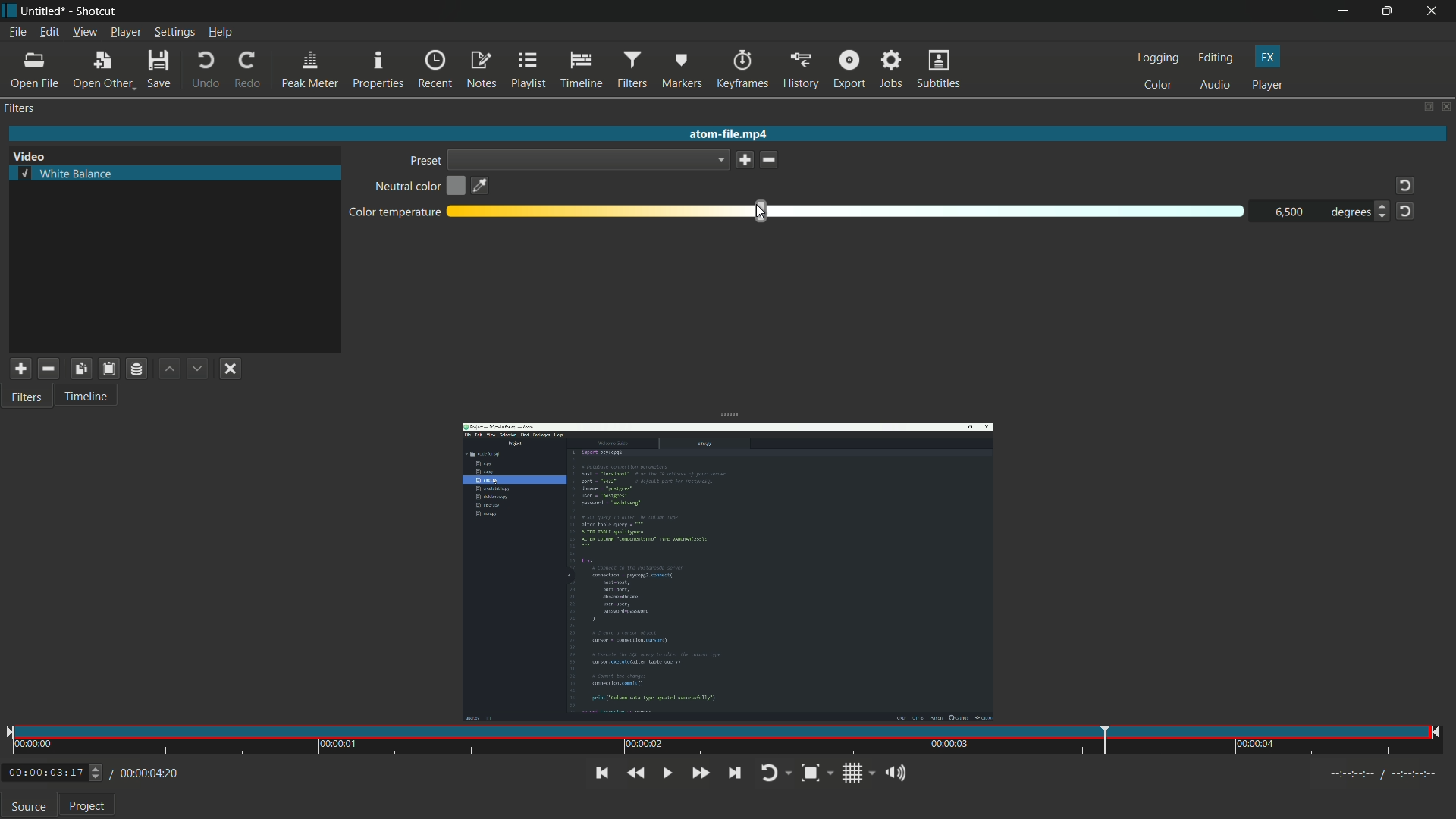 Image resolution: width=1456 pixels, height=819 pixels. I want to click on time, so click(724, 742).